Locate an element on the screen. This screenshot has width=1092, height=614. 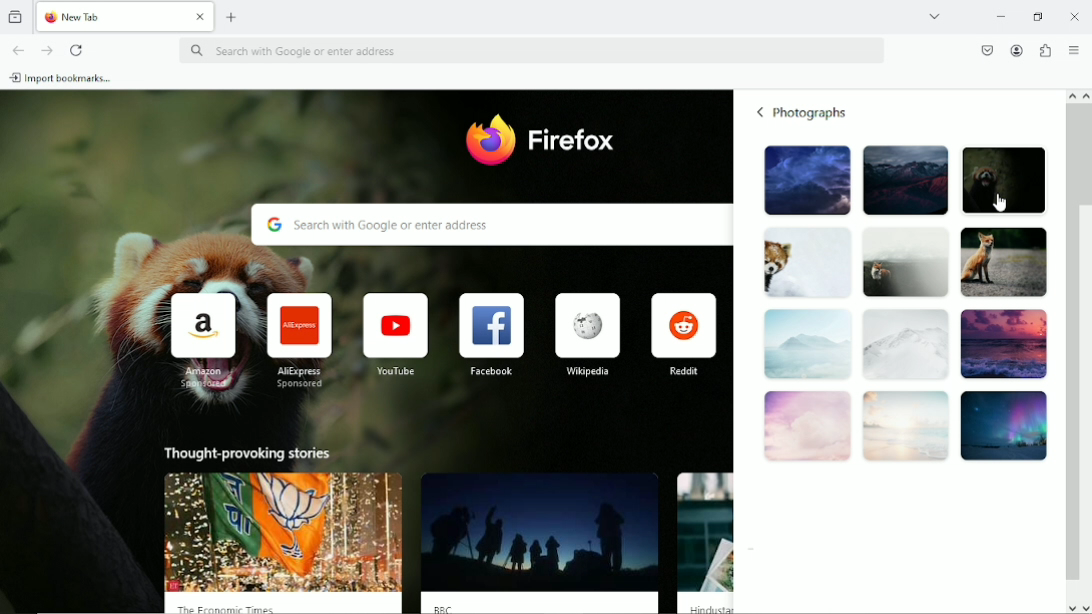
AliExpress sponsored is located at coordinates (296, 340).